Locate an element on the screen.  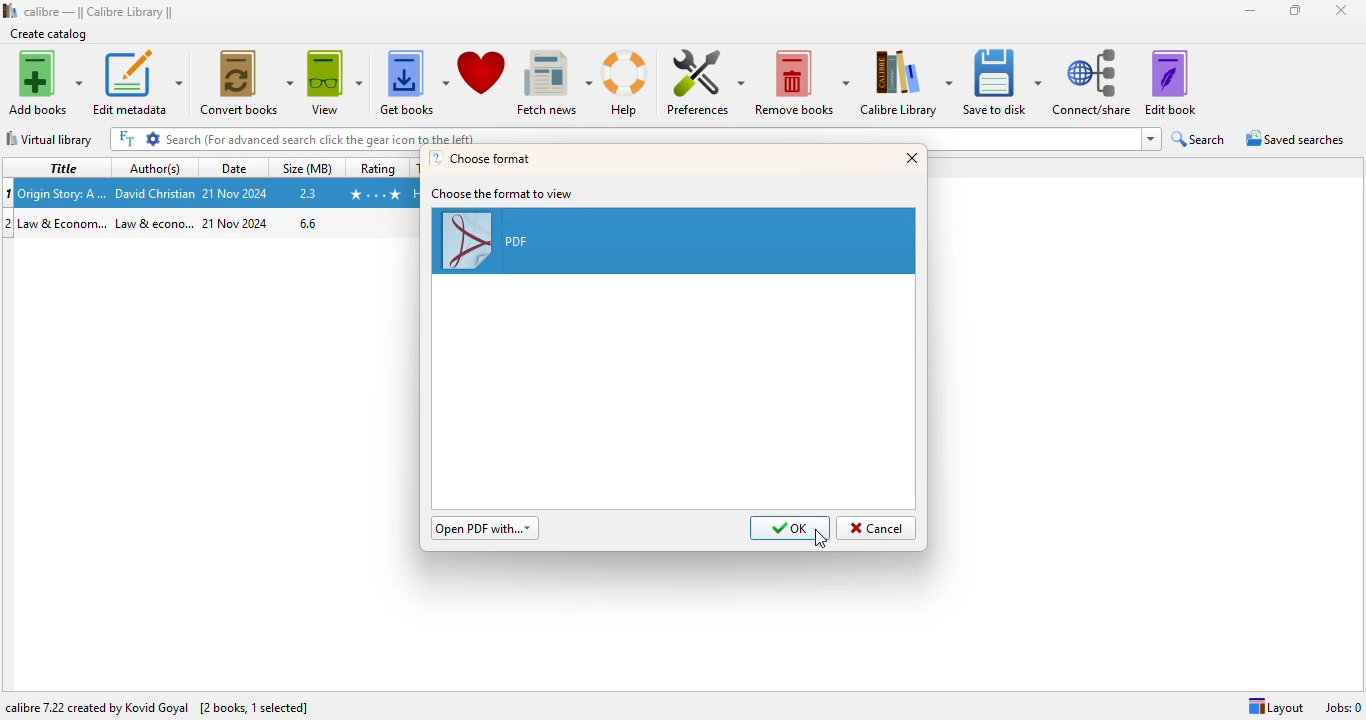
OK is located at coordinates (790, 528).